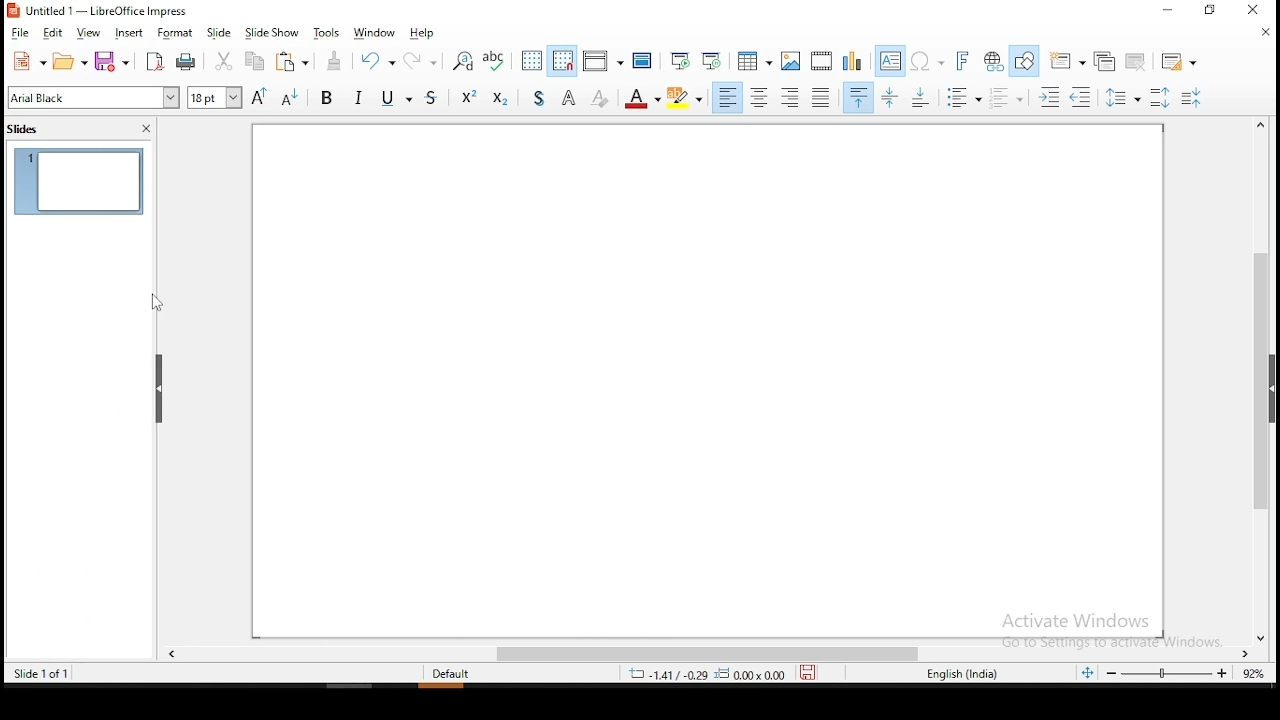 The image size is (1280, 720). Describe the element at coordinates (1051, 96) in the screenshot. I see `increase indent` at that location.